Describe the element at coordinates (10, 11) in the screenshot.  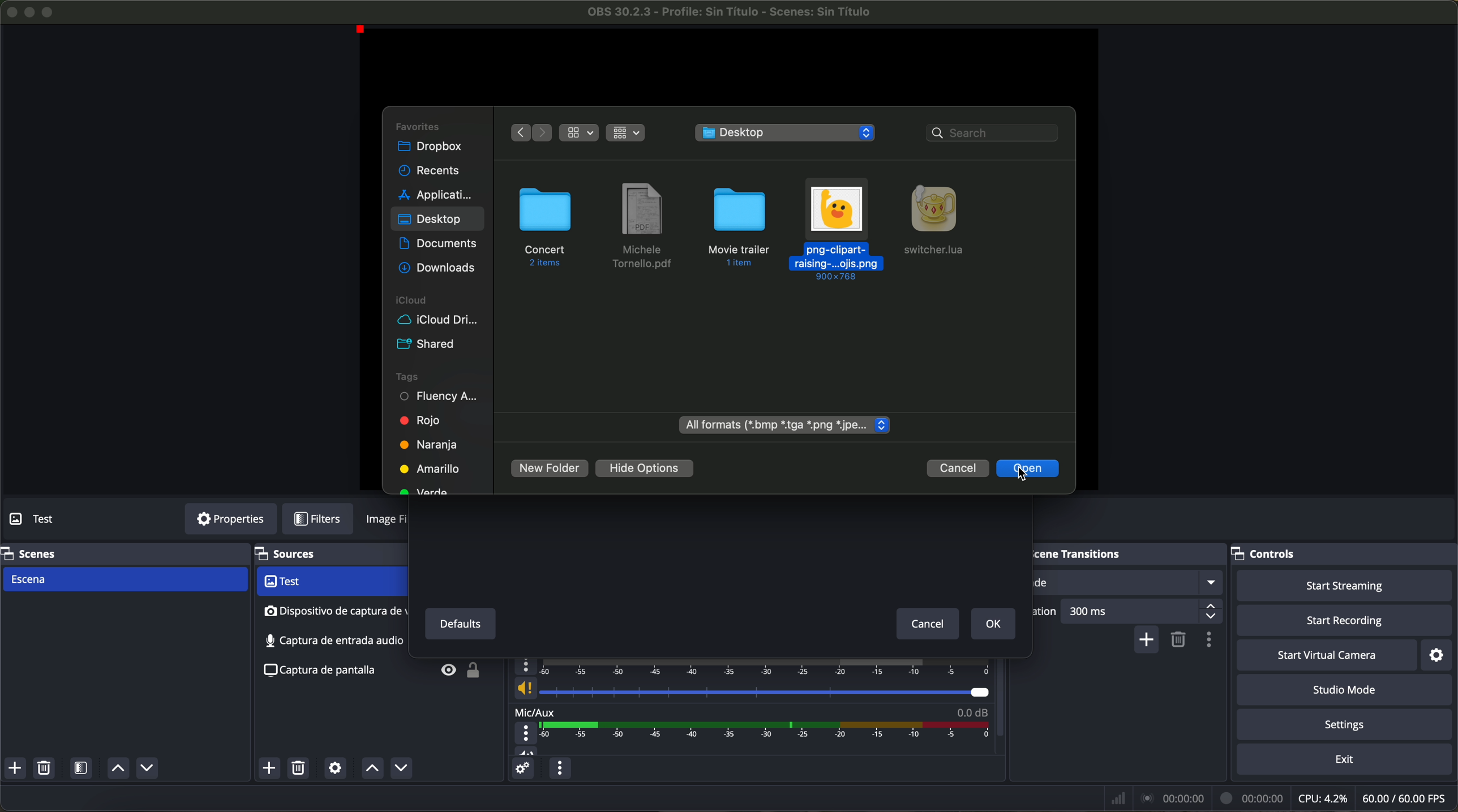
I see `close program` at that location.